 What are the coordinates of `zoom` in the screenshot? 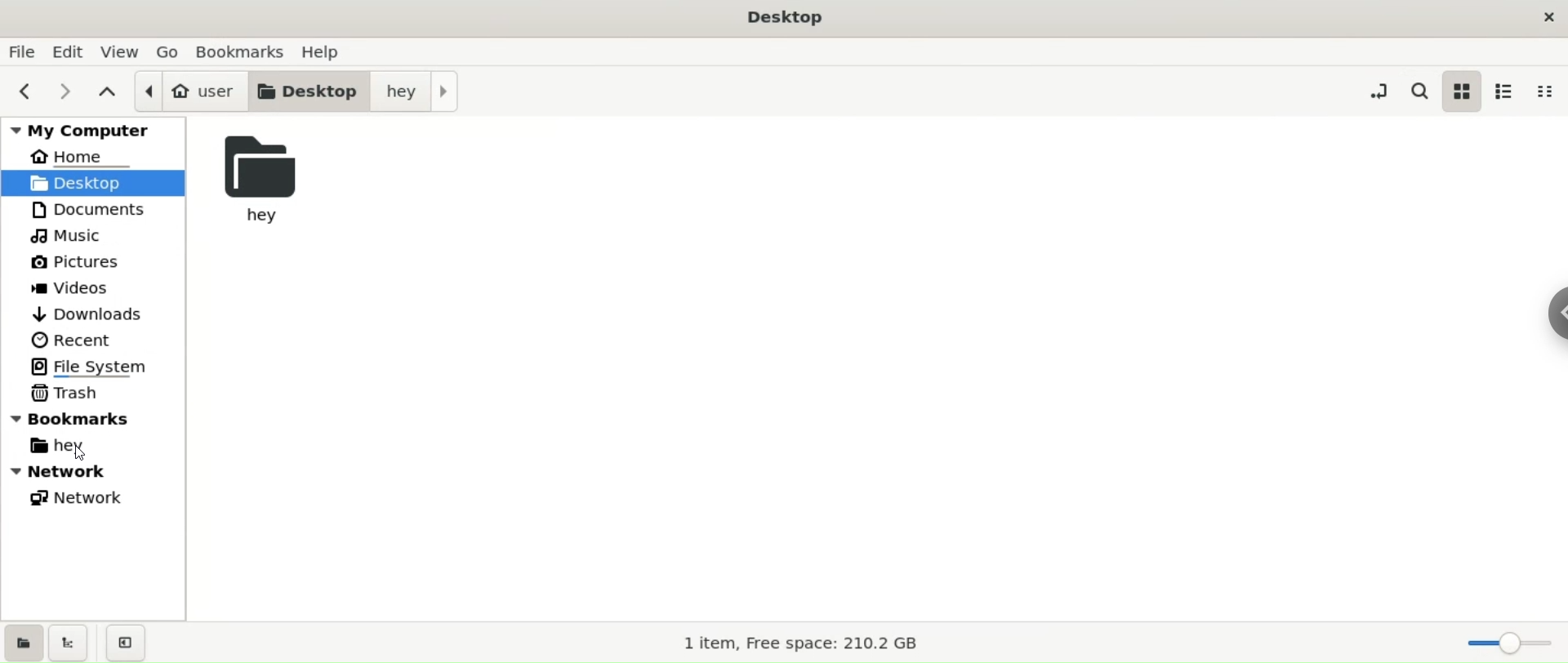 It's located at (1509, 643).